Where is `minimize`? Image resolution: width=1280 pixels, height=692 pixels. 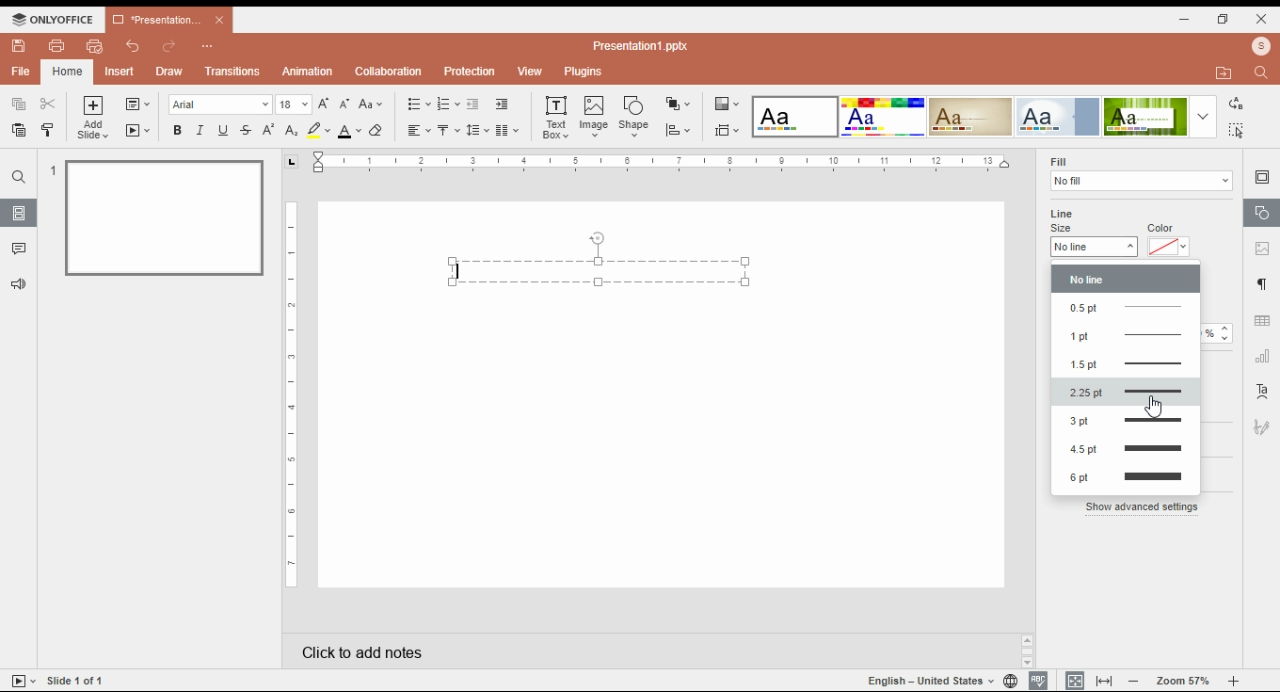
minimize is located at coordinates (1188, 20).